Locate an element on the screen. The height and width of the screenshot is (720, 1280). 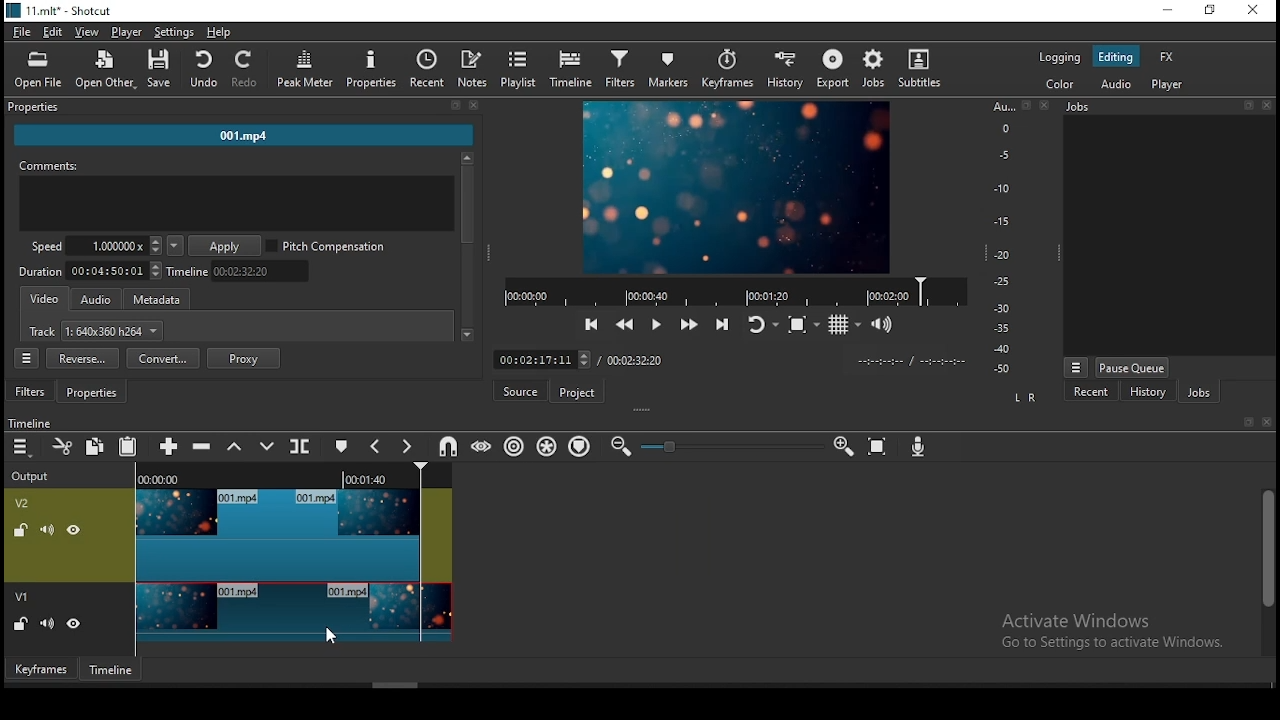
MAX TIME is located at coordinates (635, 360).